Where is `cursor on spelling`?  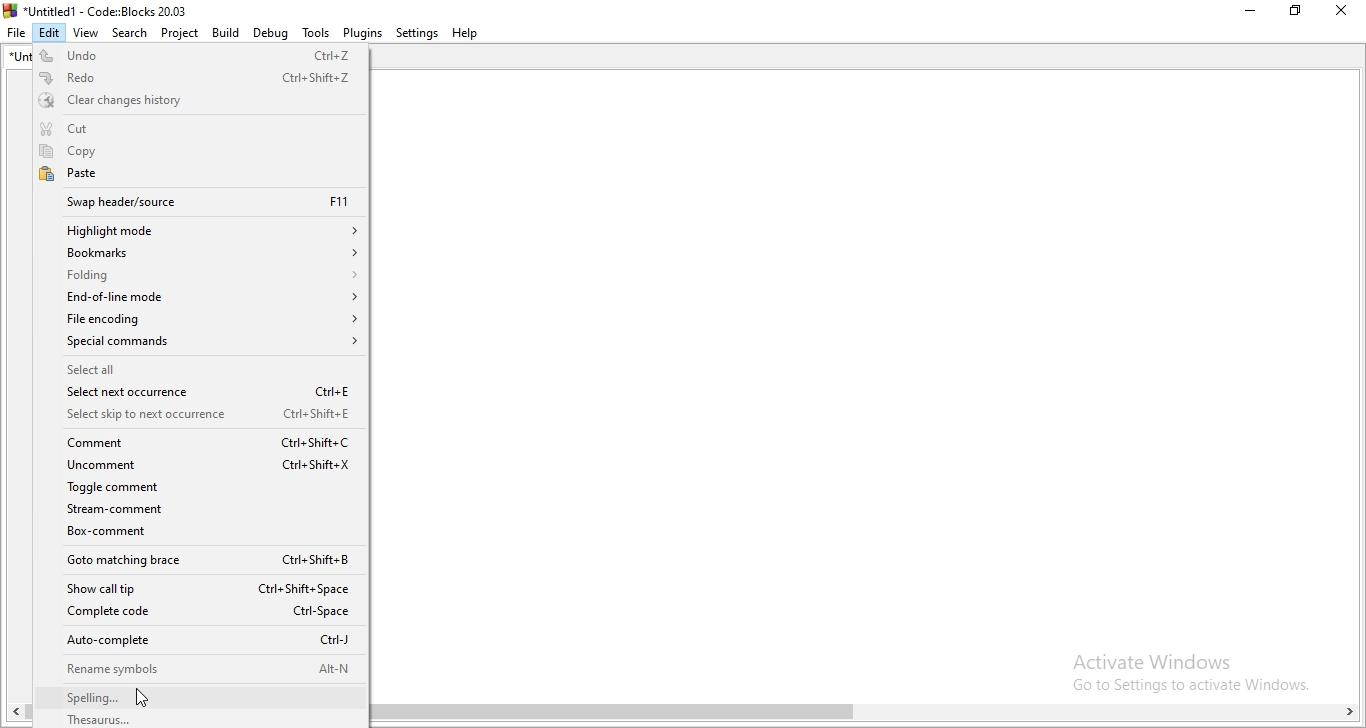 cursor on spelling is located at coordinates (145, 699).